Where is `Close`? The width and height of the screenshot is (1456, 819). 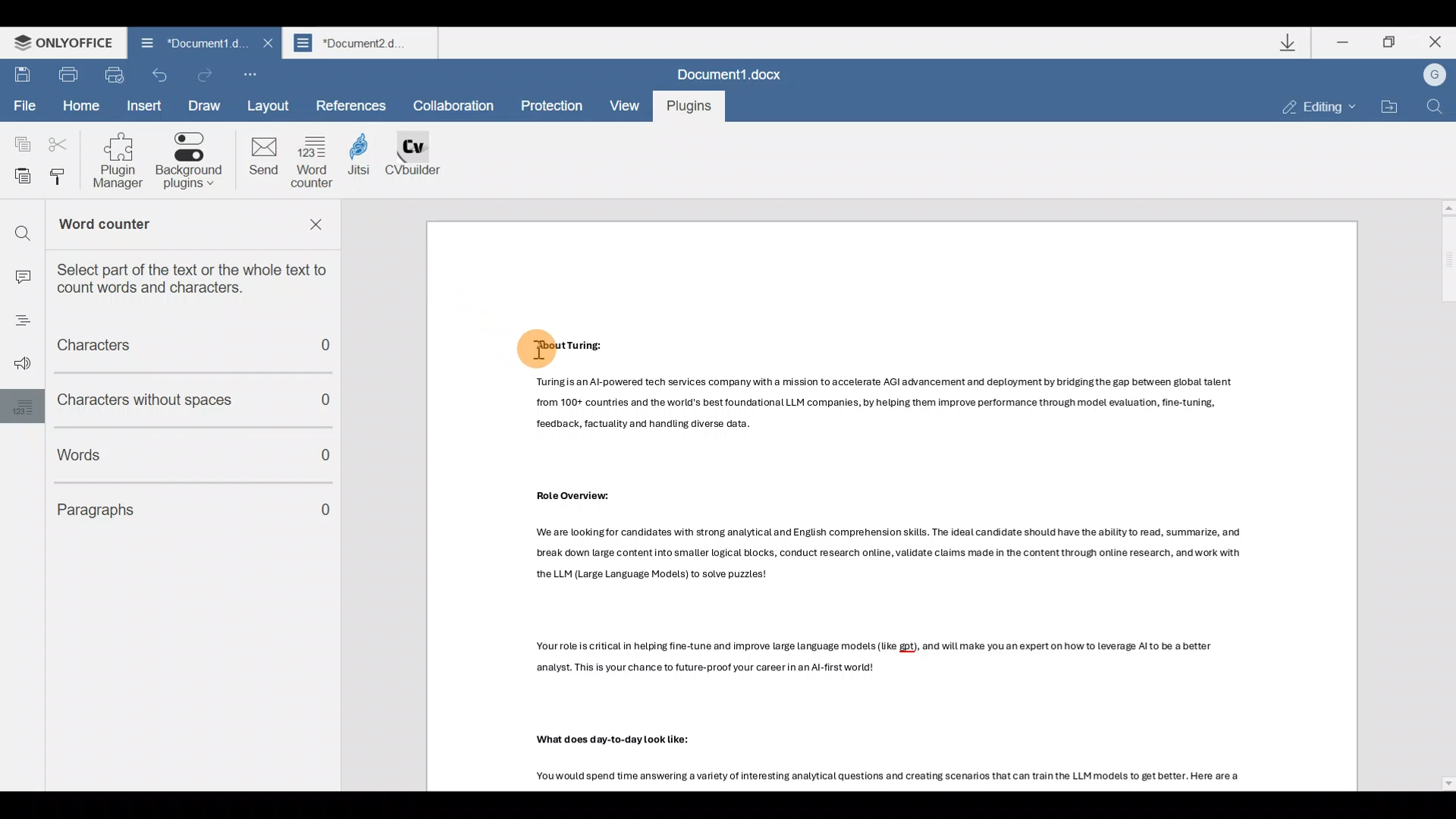 Close is located at coordinates (1432, 43).